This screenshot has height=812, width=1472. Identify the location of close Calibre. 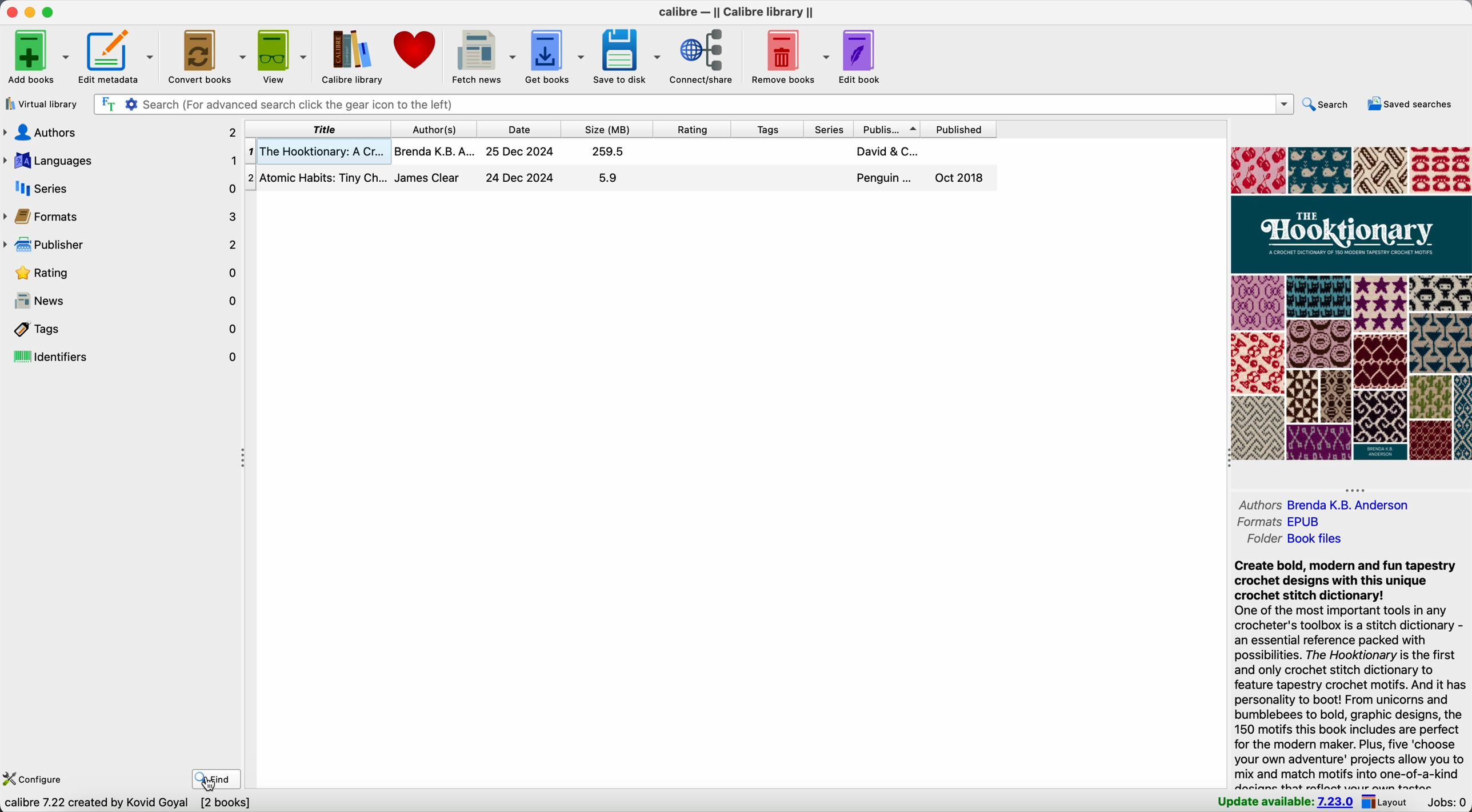
(9, 11).